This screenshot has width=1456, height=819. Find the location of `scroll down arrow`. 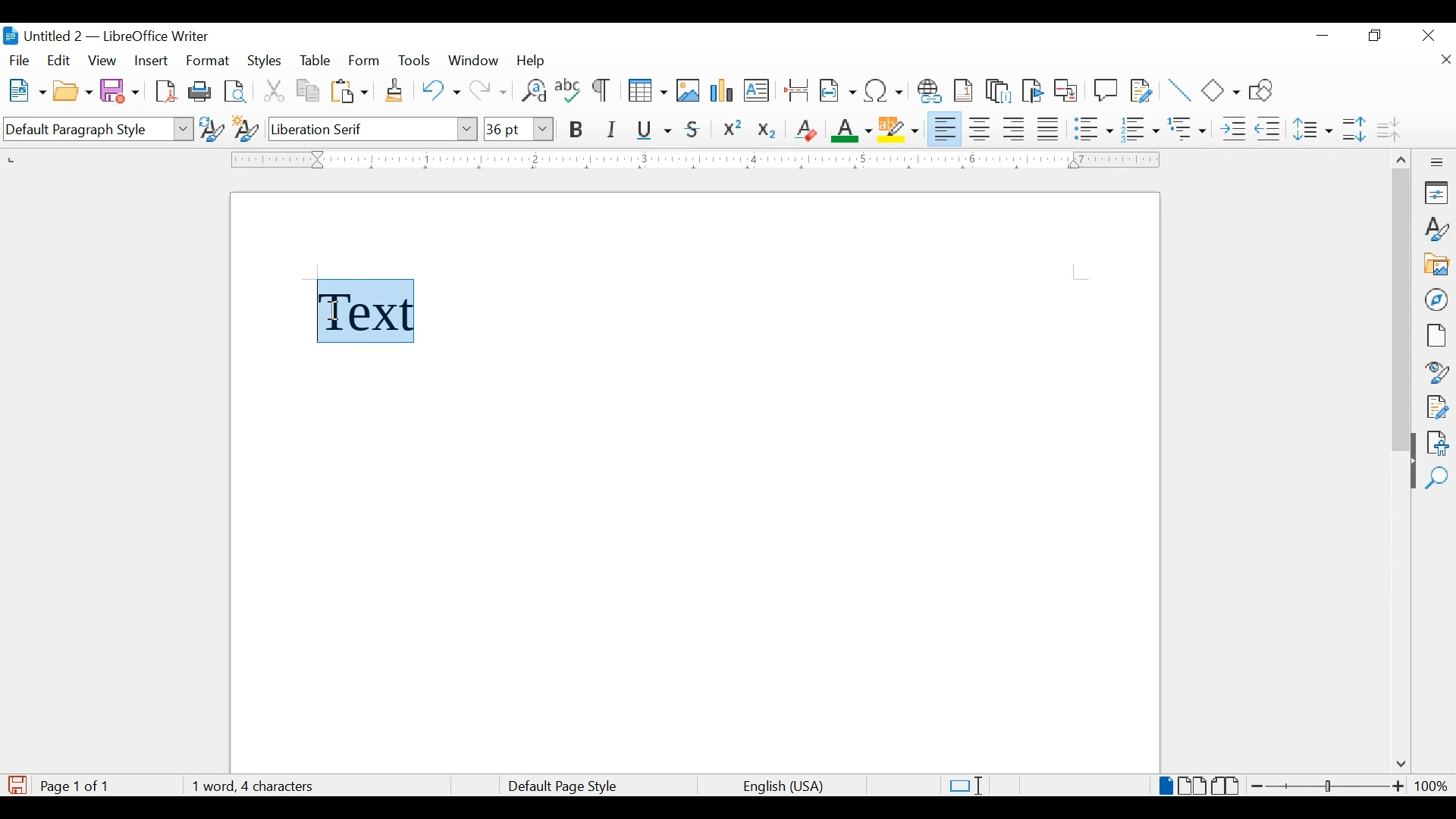

scroll down arrow is located at coordinates (1398, 765).